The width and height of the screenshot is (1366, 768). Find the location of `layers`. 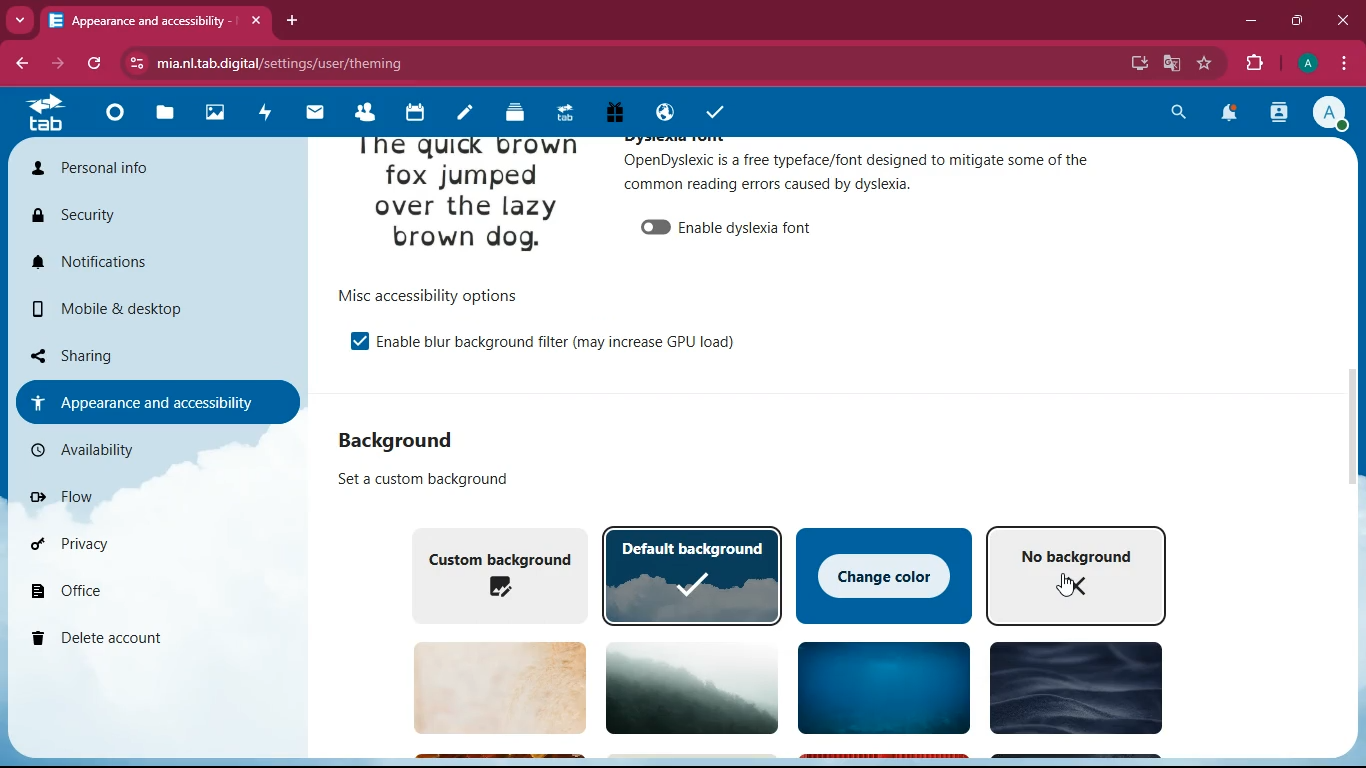

layers is located at coordinates (508, 113).